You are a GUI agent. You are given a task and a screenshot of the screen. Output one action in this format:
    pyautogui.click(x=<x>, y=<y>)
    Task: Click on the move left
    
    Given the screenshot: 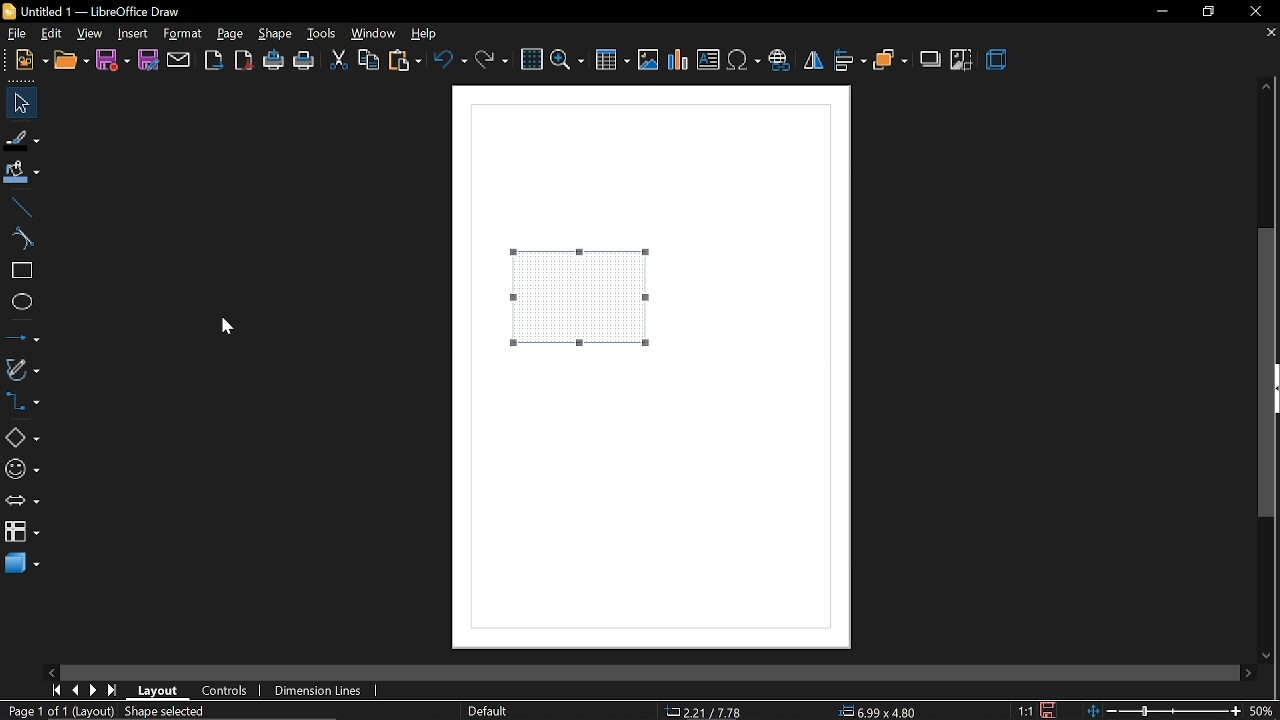 What is the action you would take?
    pyautogui.click(x=51, y=671)
    